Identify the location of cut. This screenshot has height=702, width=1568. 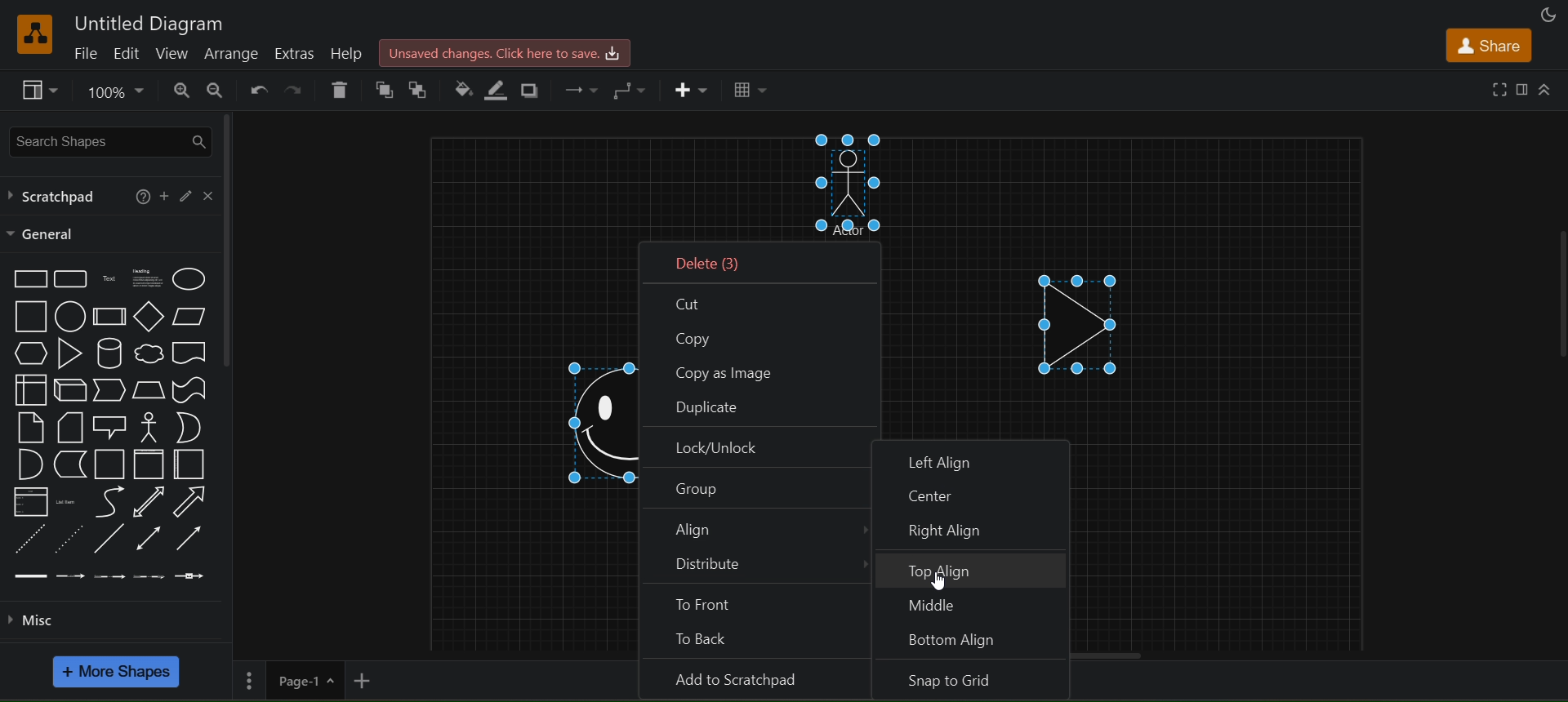
(761, 301).